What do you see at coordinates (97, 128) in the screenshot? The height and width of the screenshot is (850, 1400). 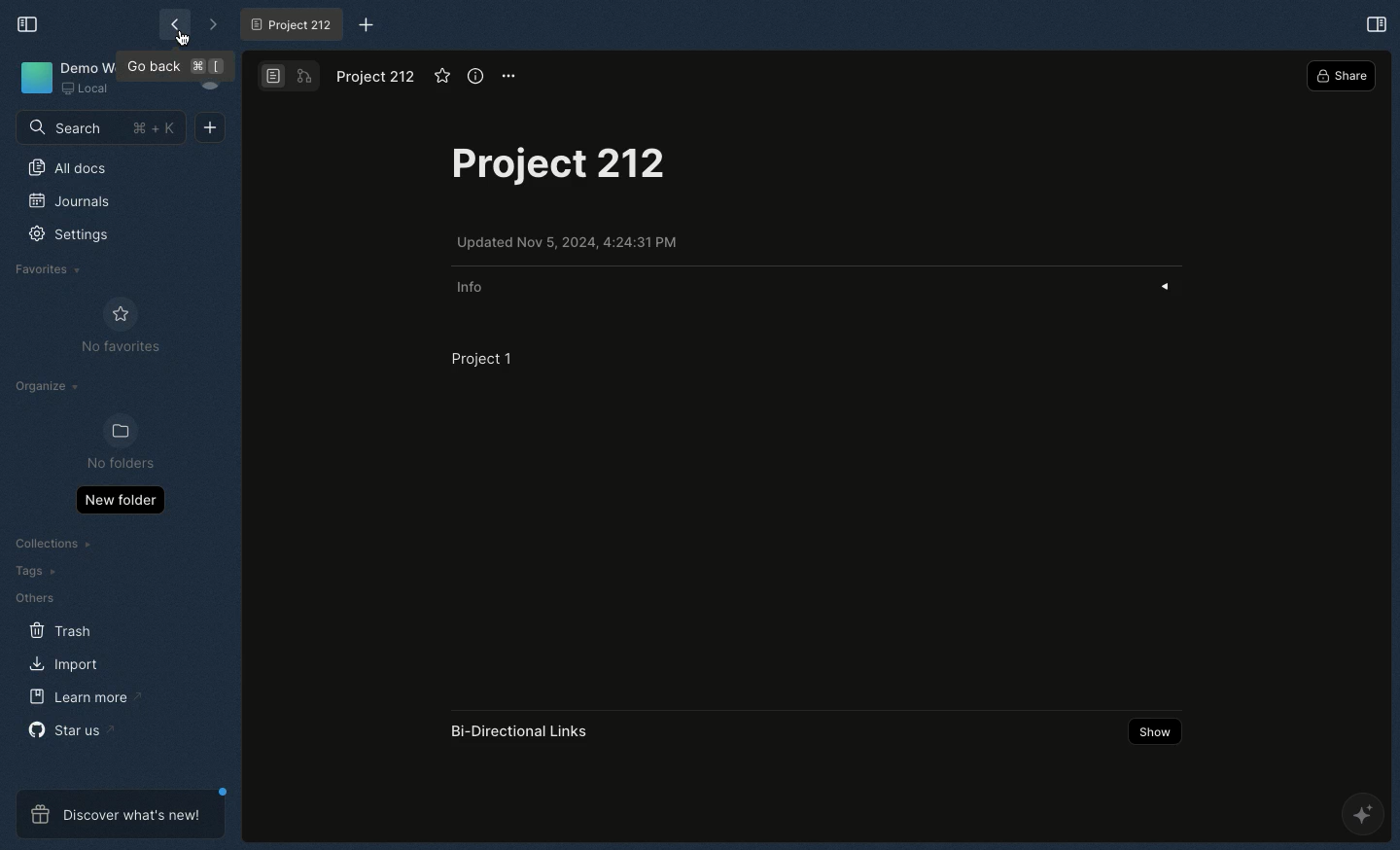 I see `Search` at bounding box center [97, 128].